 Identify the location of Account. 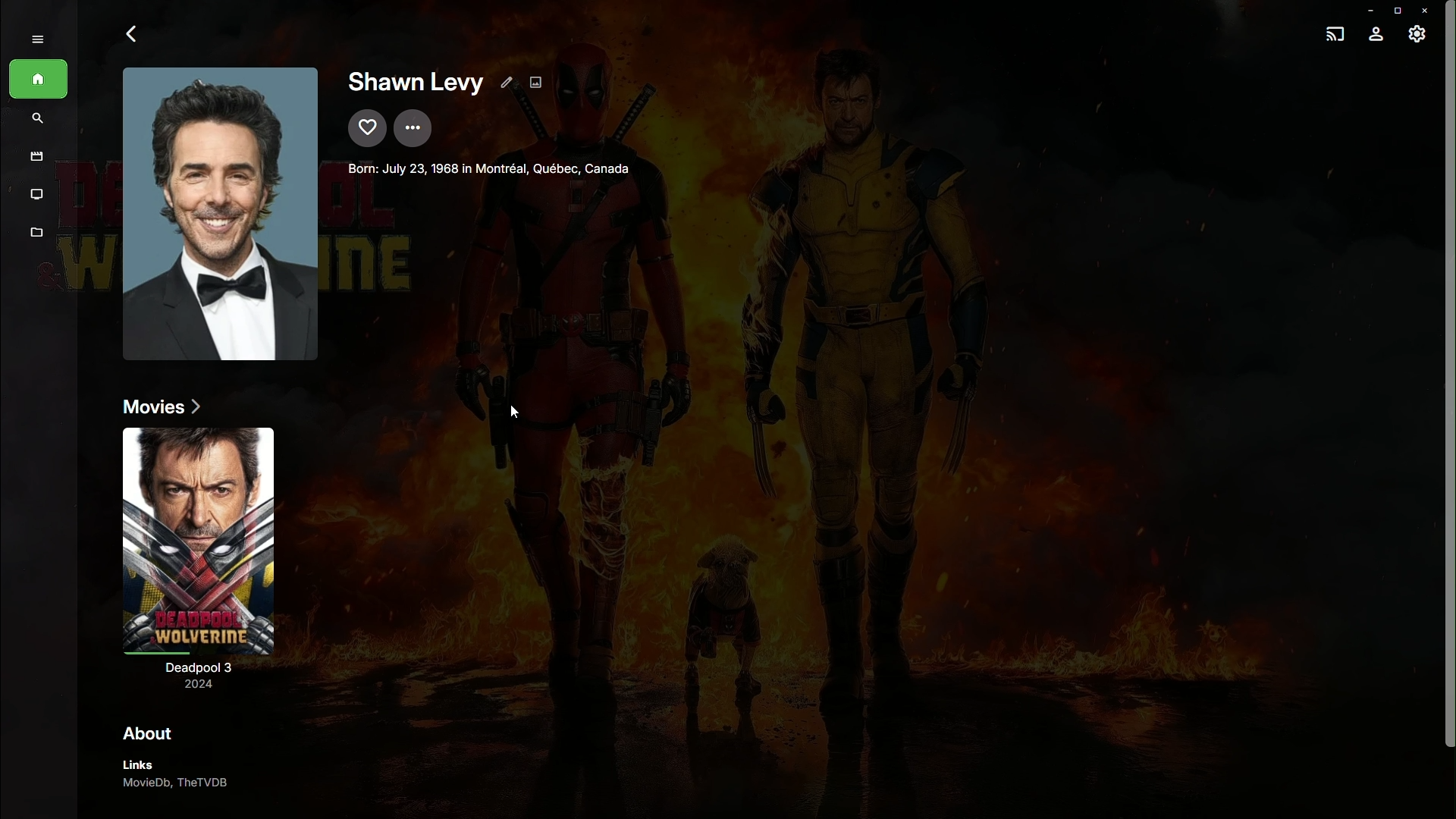
(1377, 34).